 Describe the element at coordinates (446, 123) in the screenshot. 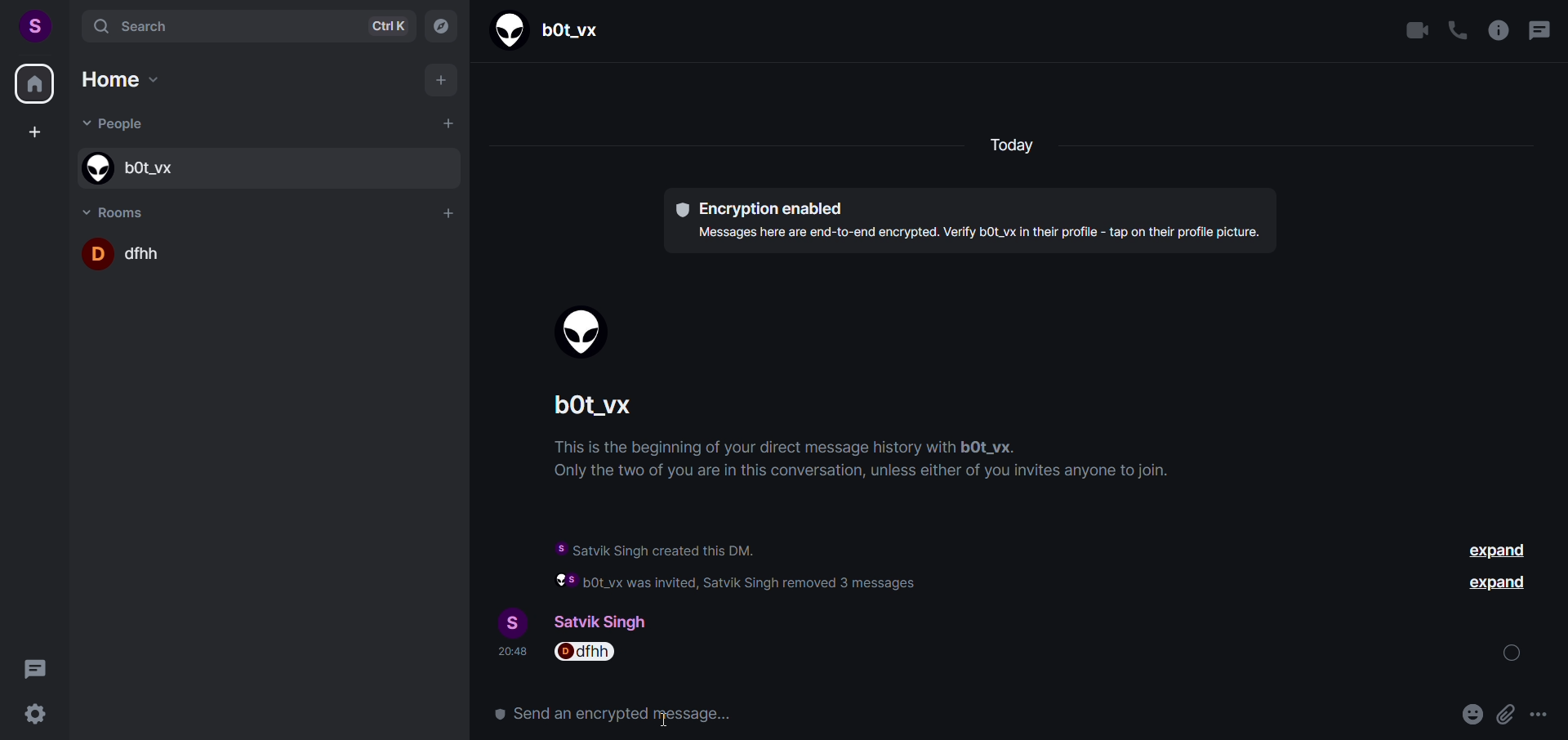

I see `add people` at that location.